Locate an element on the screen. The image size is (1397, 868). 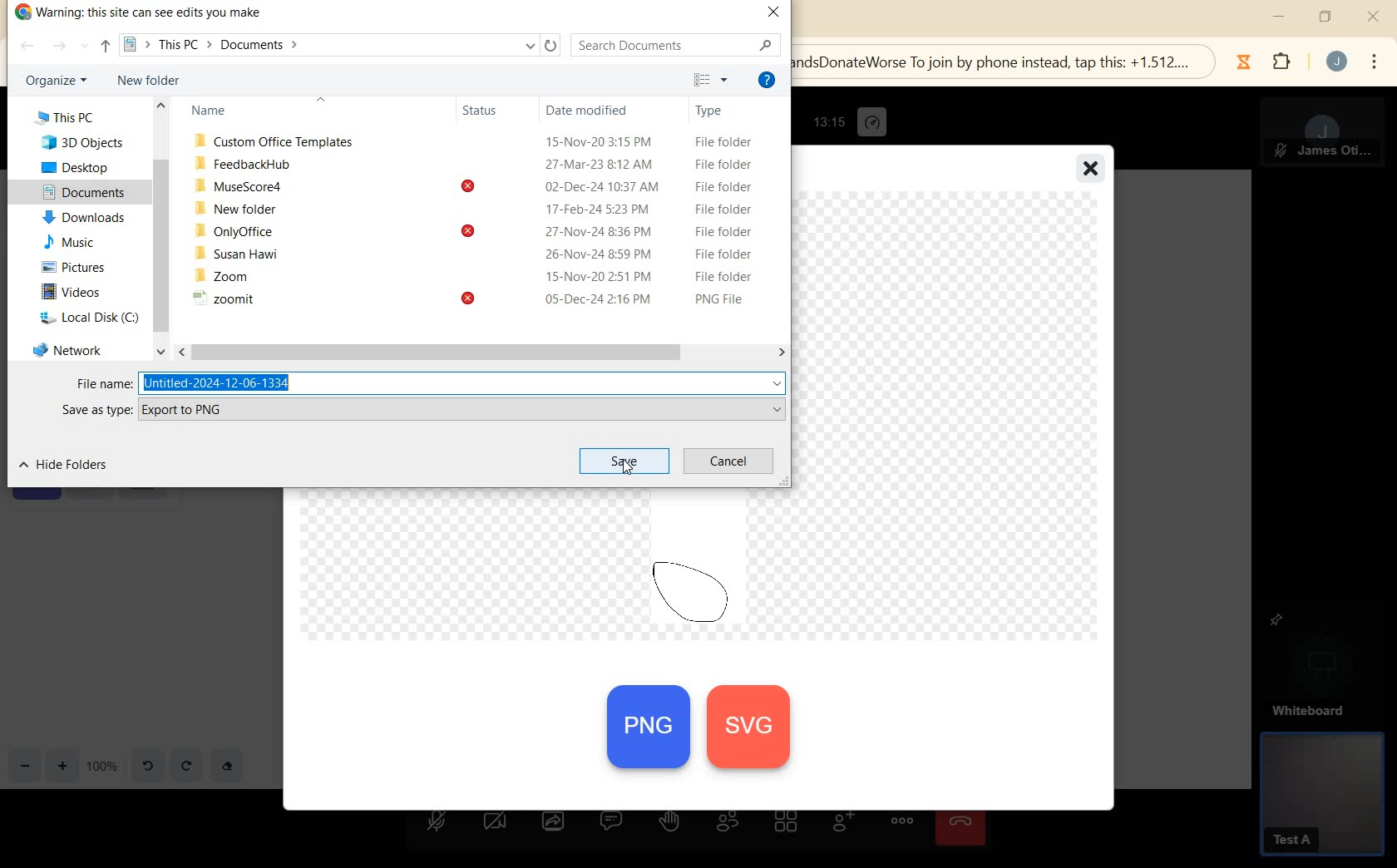
minimize is located at coordinates (1278, 16).